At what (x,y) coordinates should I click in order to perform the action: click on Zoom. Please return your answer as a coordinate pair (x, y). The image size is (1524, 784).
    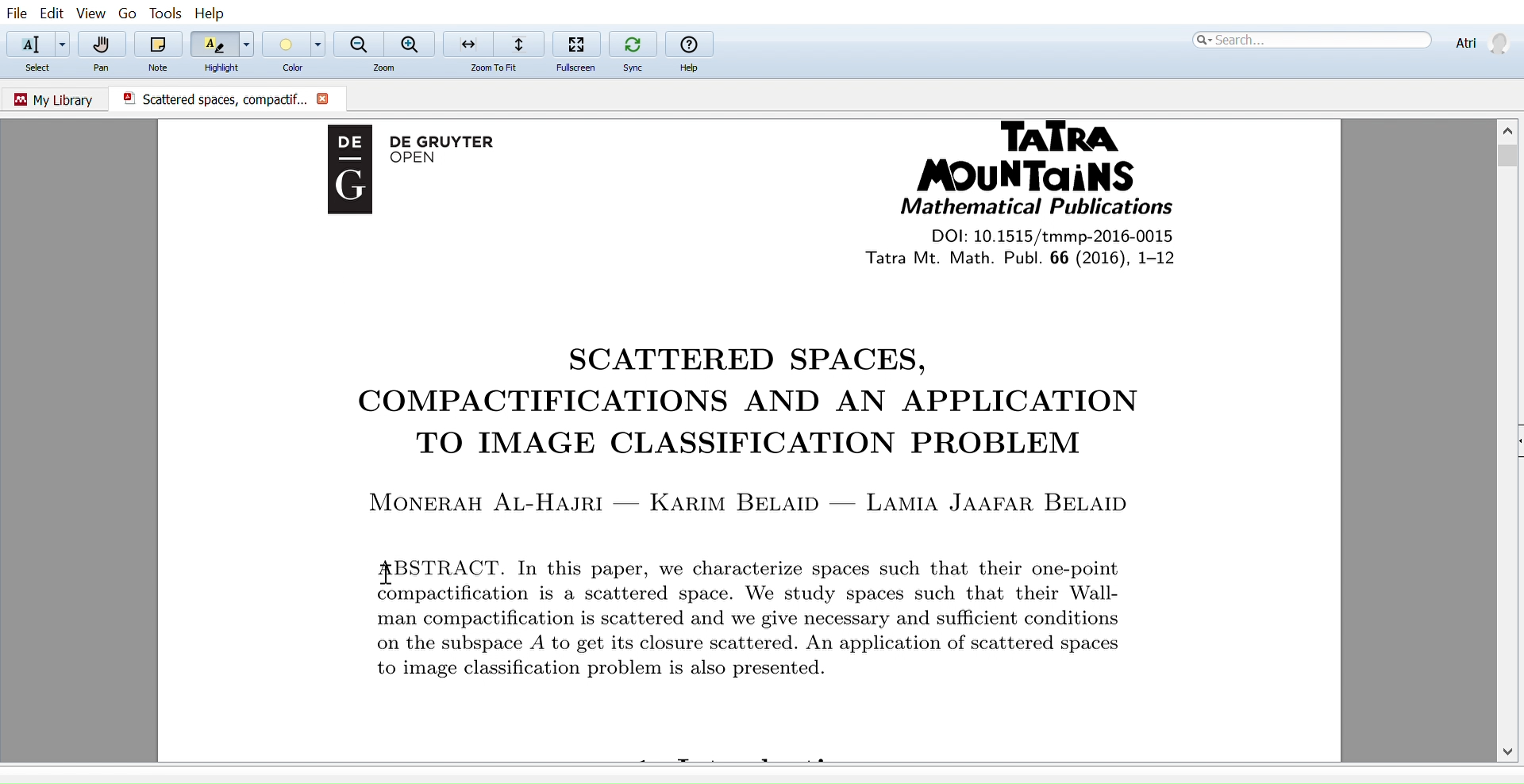
    Looking at the image, I should click on (388, 68).